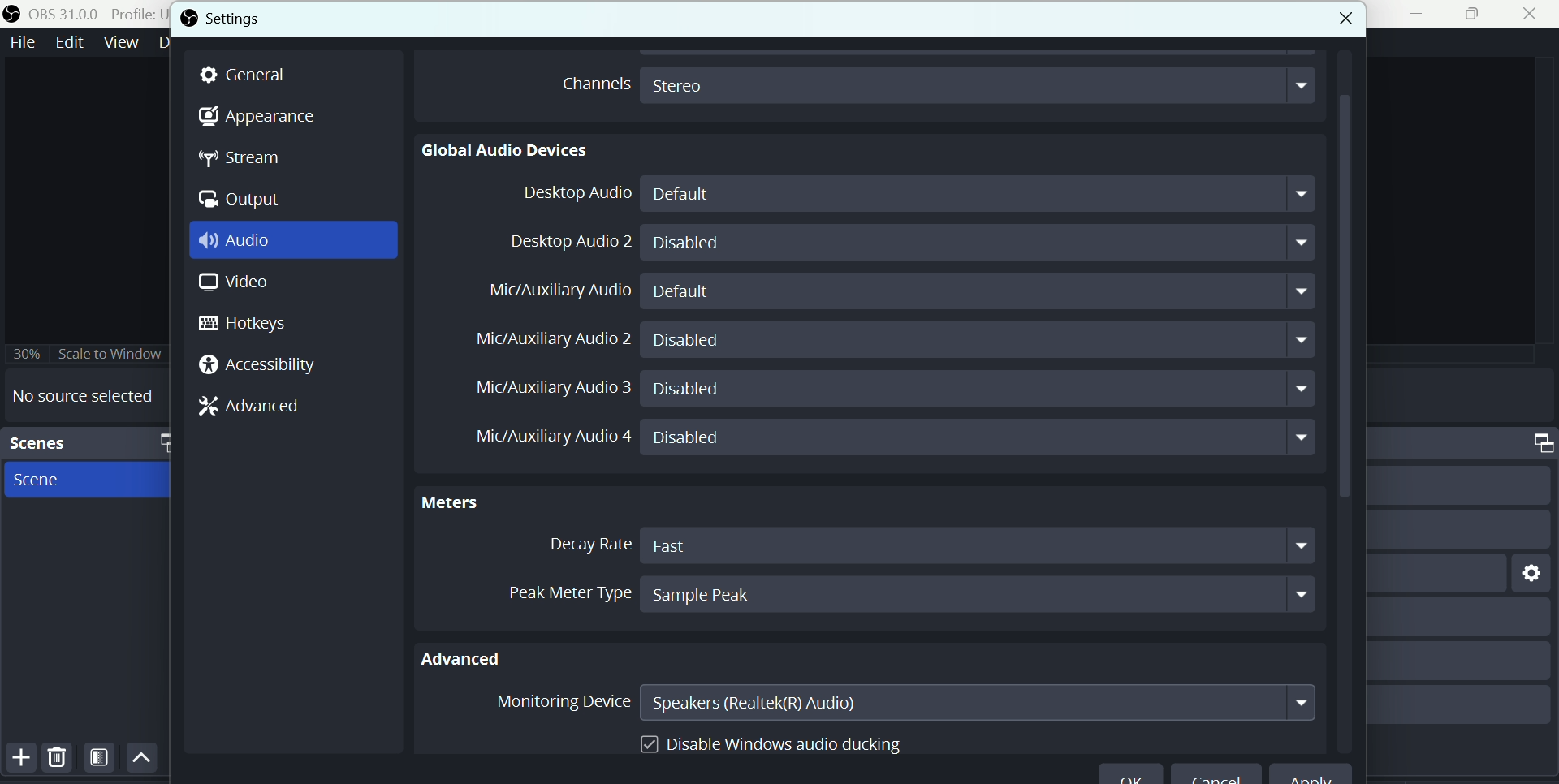 This screenshot has width=1559, height=784. I want to click on Advanced, so click(257, 405).